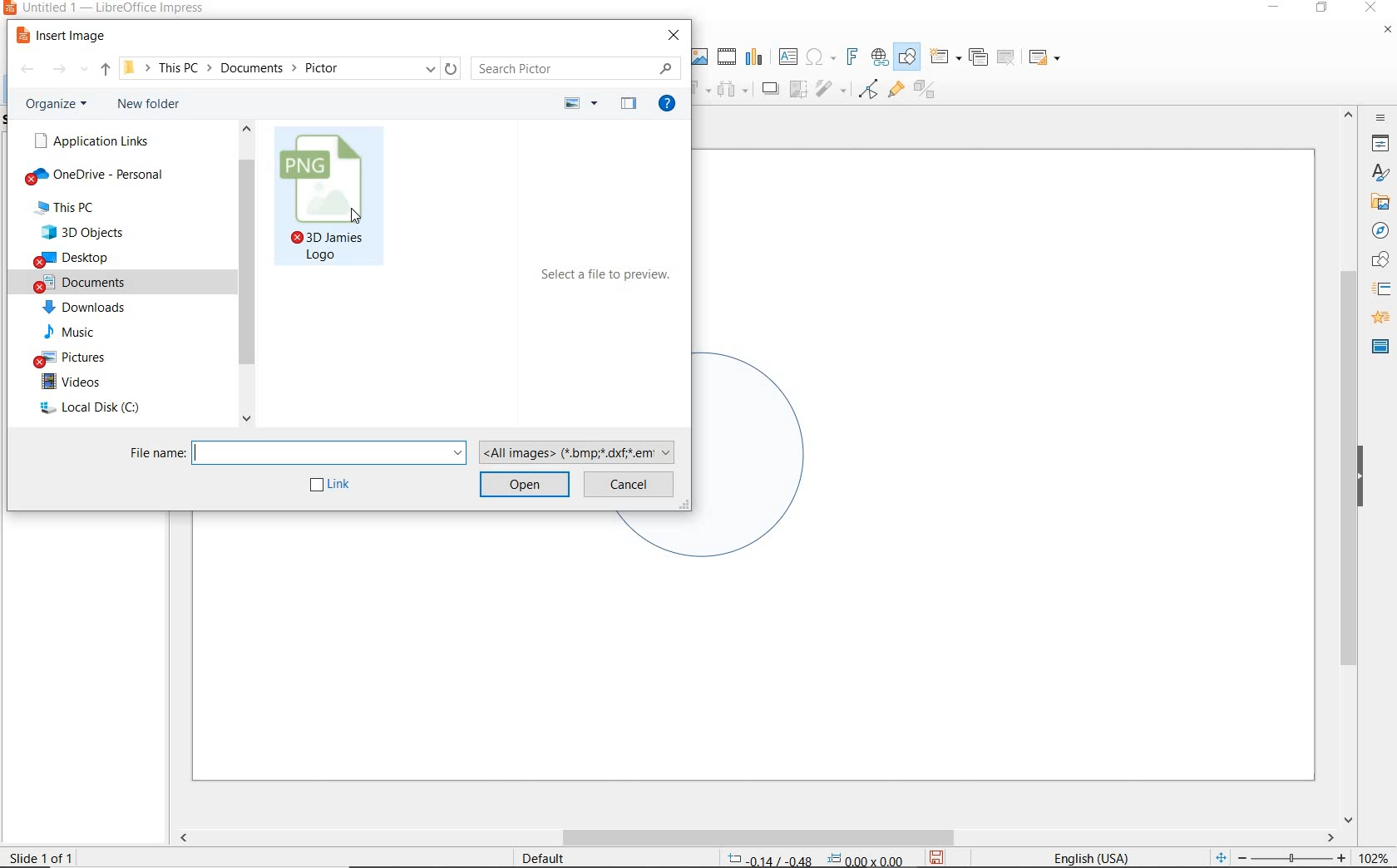 The width and height of the screenshot is (1397, 868). Describe the element at coordinates (978, 57) in the screenshot. I see `duplicate slide` at that location.